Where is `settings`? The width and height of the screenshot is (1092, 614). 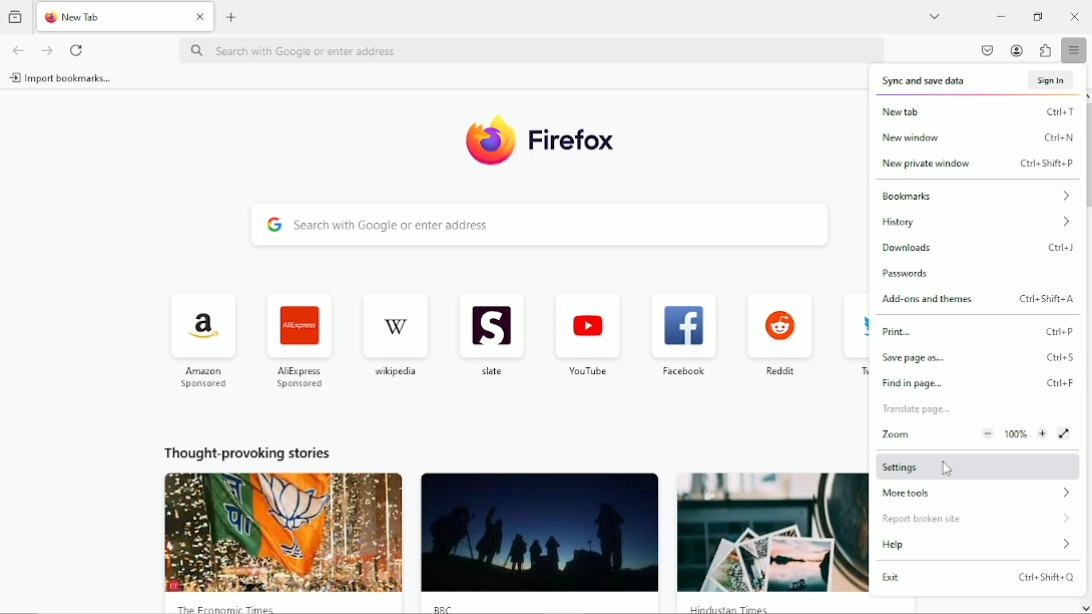
settings is located at coordinates (979, 467).